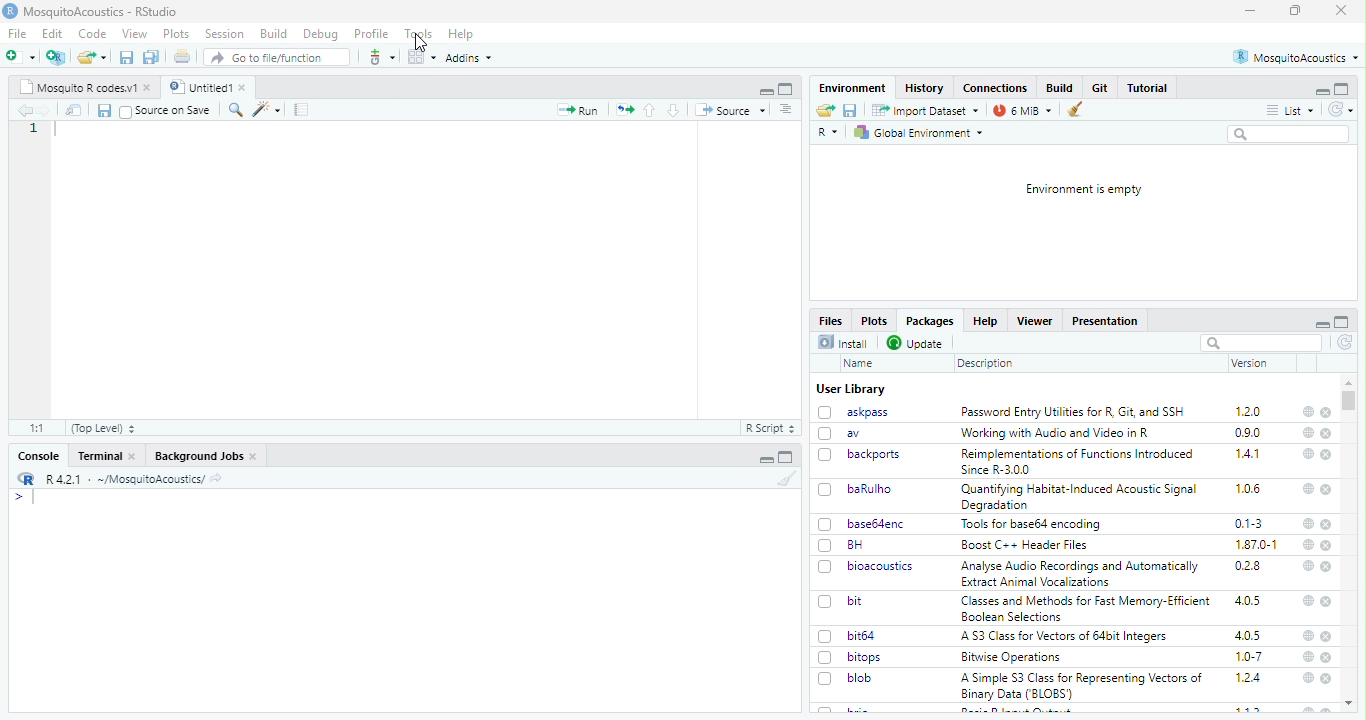 This screenshot has height=720, width=1366. What do you see at coordinates (1249, 636) in the screenshot?
I see `405` at bounding box center [1249, 636].